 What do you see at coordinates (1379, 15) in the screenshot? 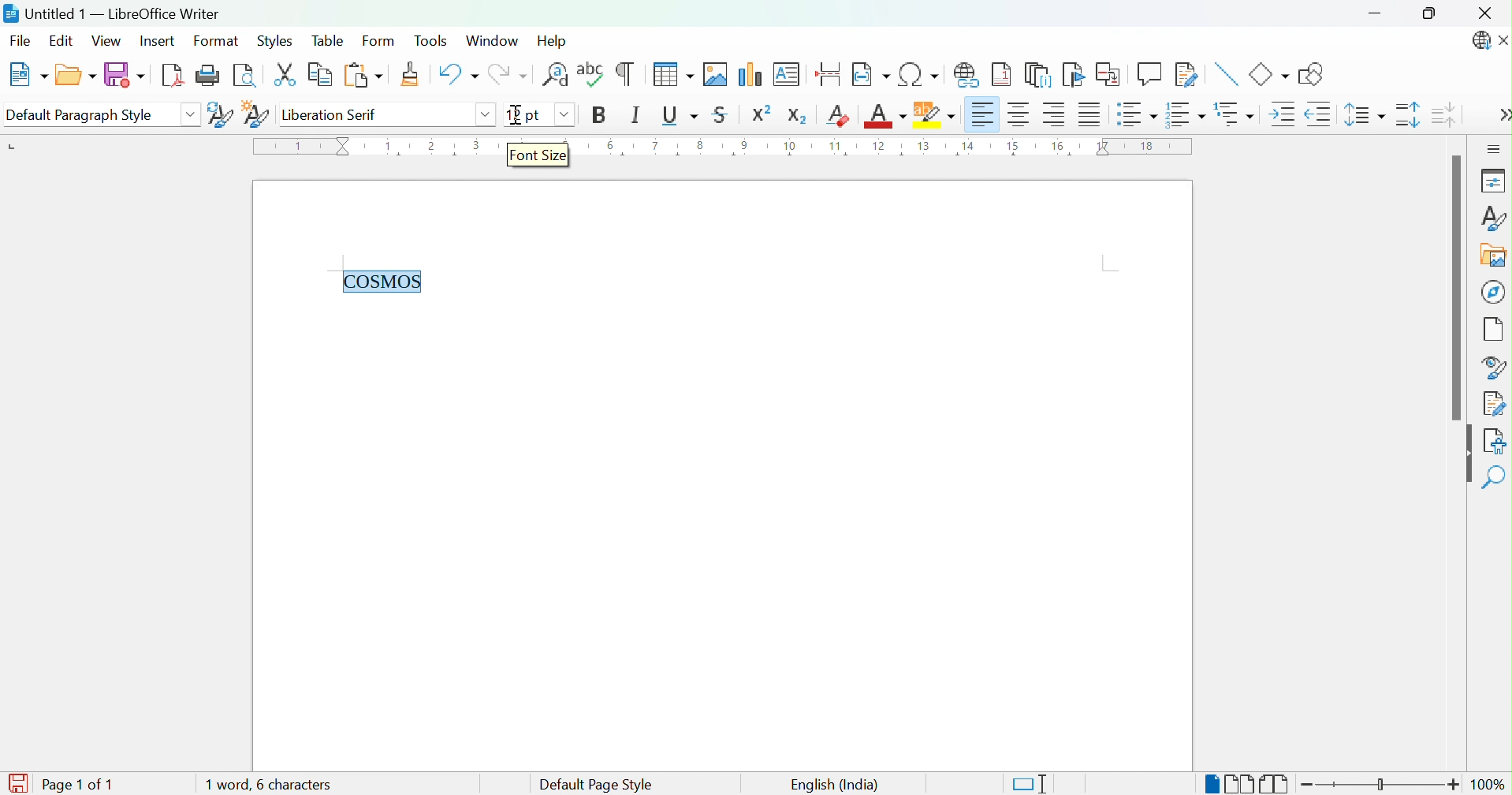
I see `Minimize` at bounding box center [1379, 15].